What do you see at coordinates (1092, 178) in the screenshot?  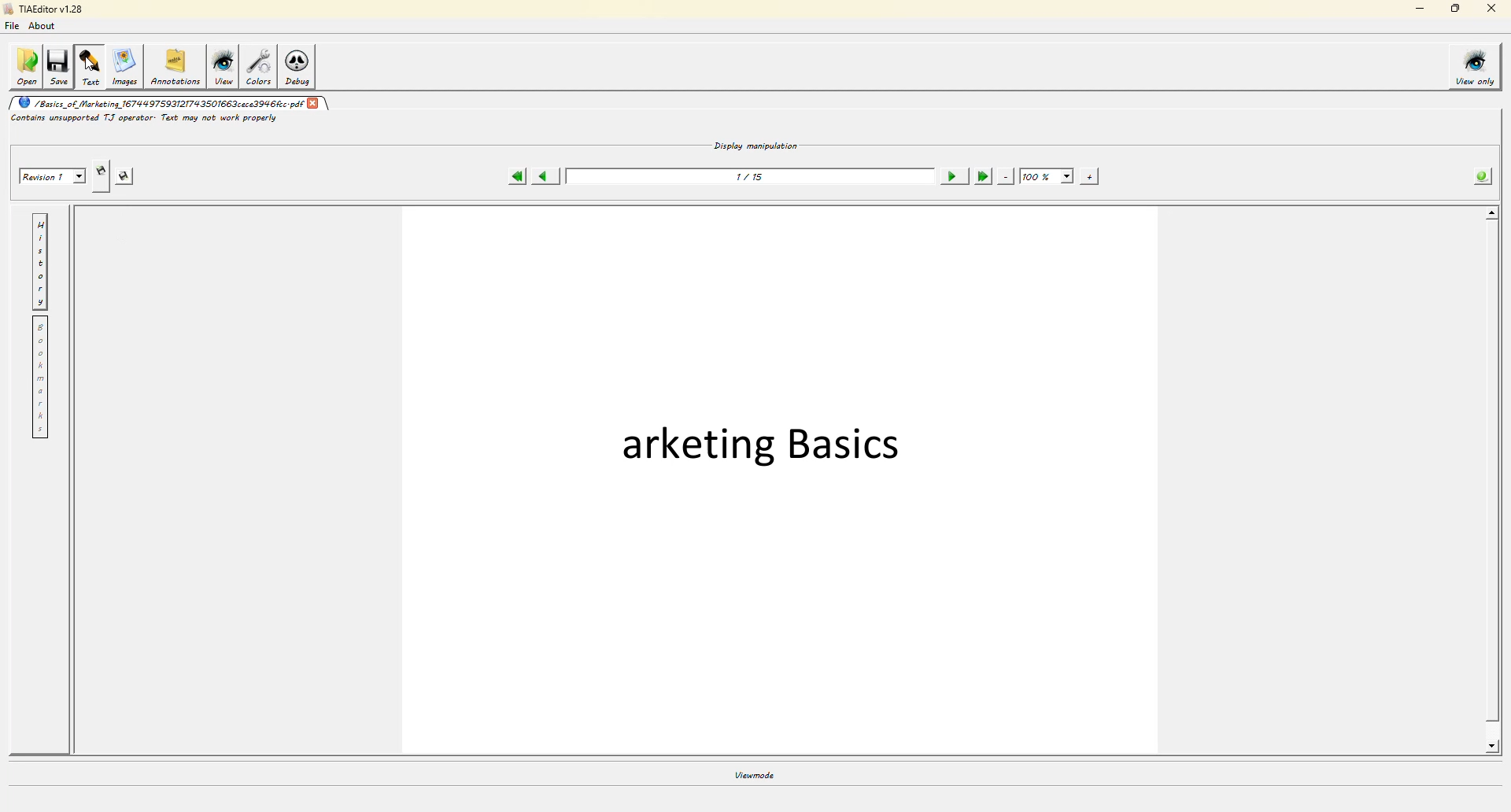 I see `zoom in` at bounding box center [1092, 178].